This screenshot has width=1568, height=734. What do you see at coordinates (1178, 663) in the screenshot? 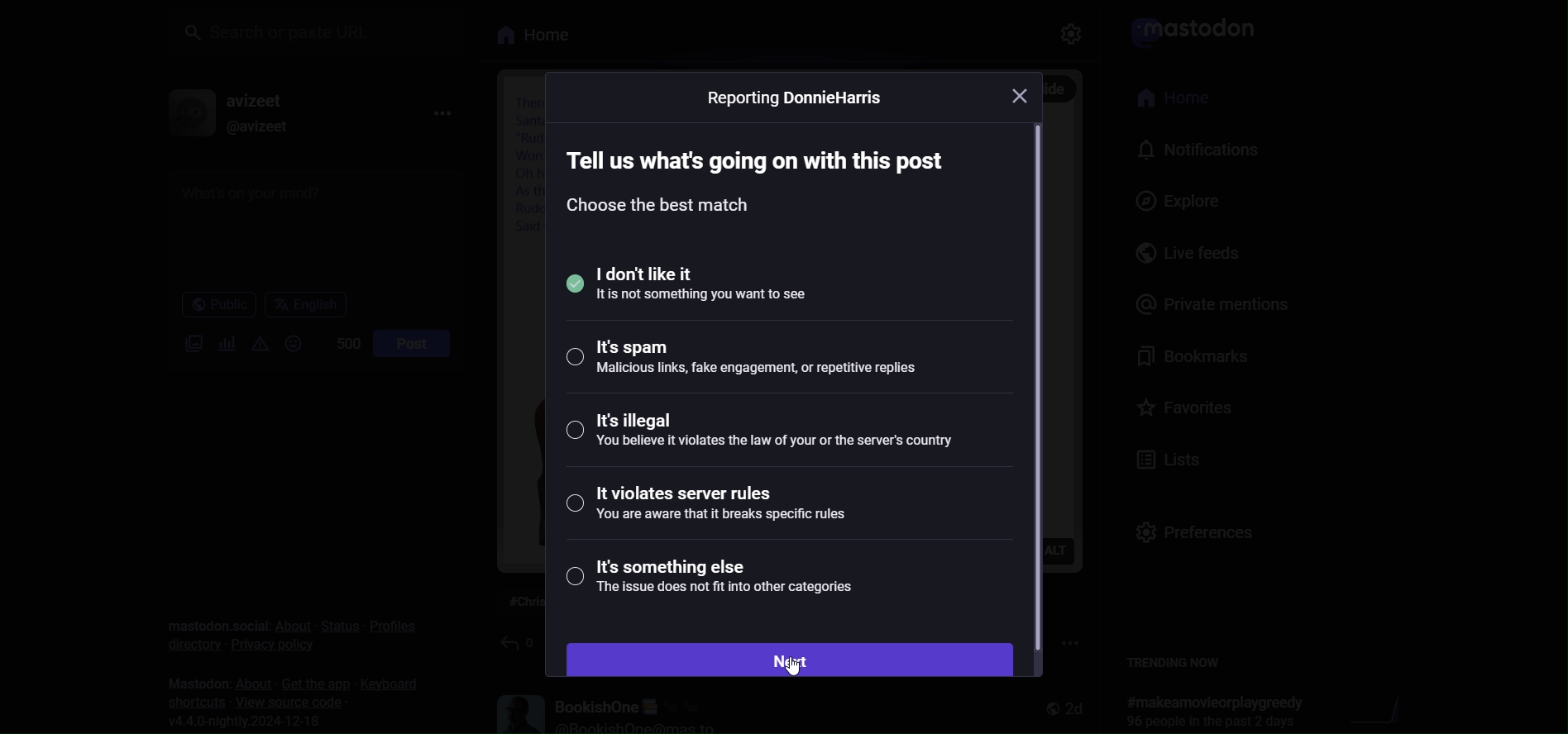
I see `trending now` at bounding box center [1178, 663].